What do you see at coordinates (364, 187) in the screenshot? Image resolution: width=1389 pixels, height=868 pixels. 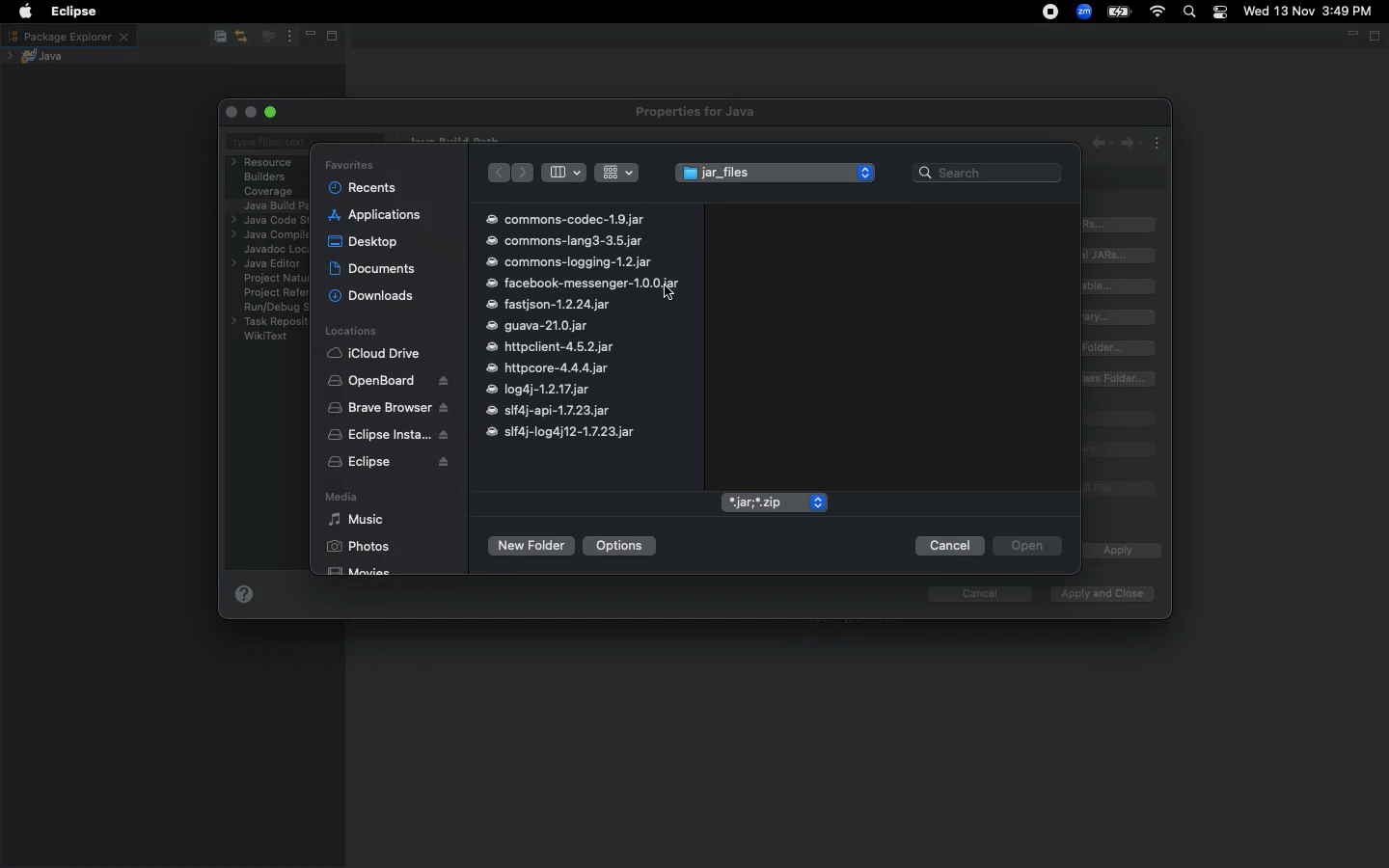 I see `Recents` at bounding box center [364, 187].